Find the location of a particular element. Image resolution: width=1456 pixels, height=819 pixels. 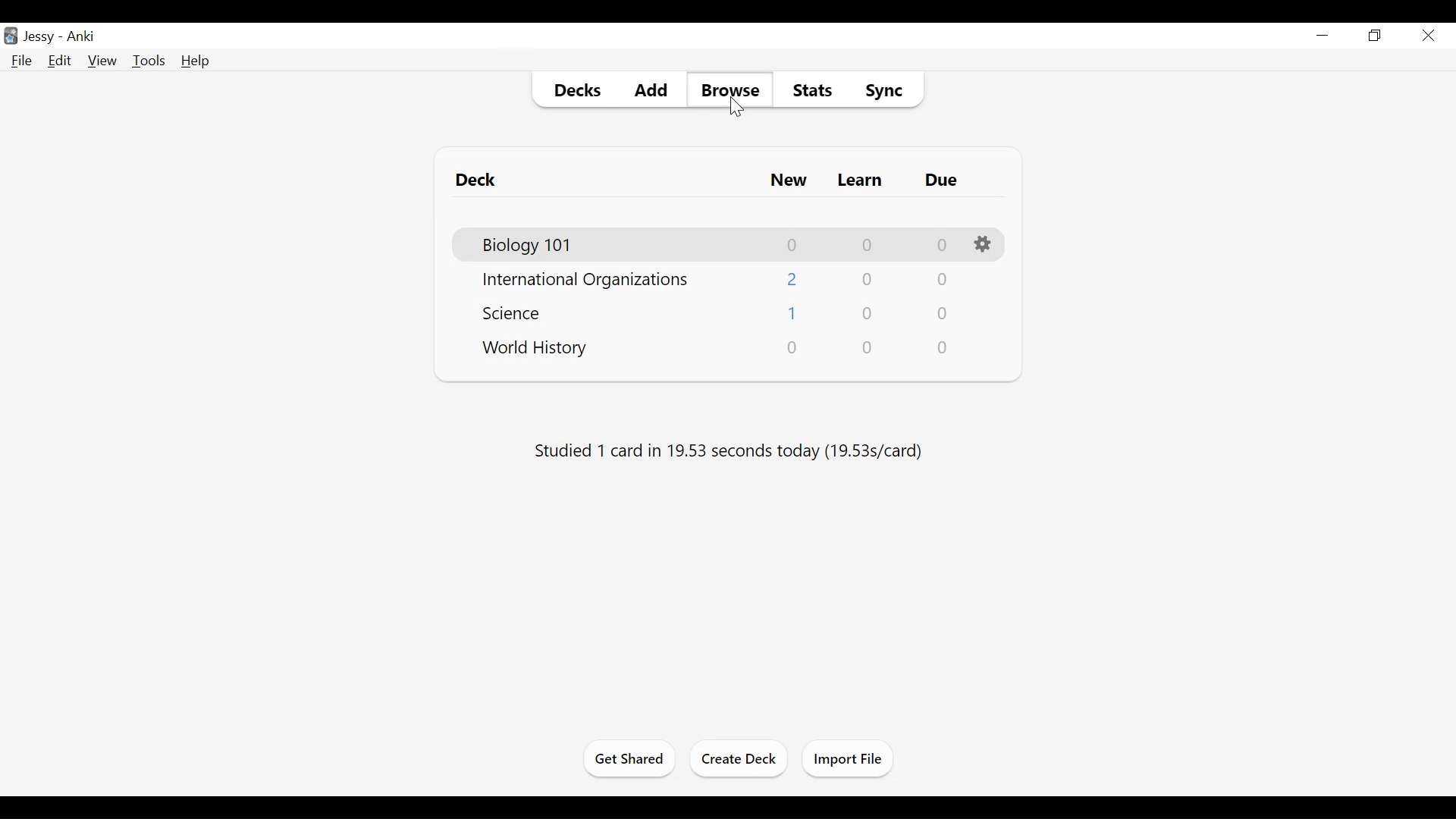

Cursor is located at coordinates (736, 108).